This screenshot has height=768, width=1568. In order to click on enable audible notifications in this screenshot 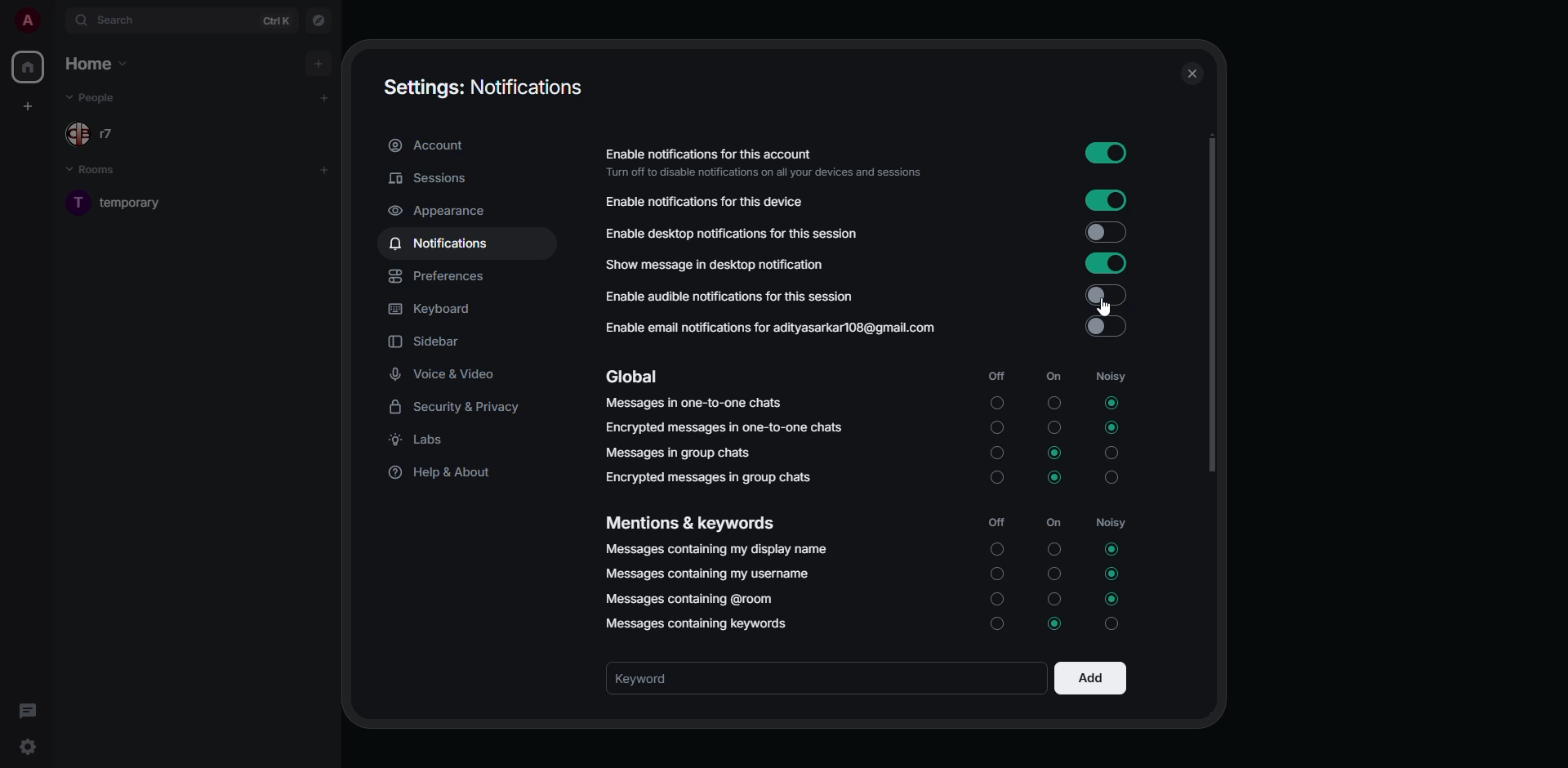, I will do `click(732, 295)`.